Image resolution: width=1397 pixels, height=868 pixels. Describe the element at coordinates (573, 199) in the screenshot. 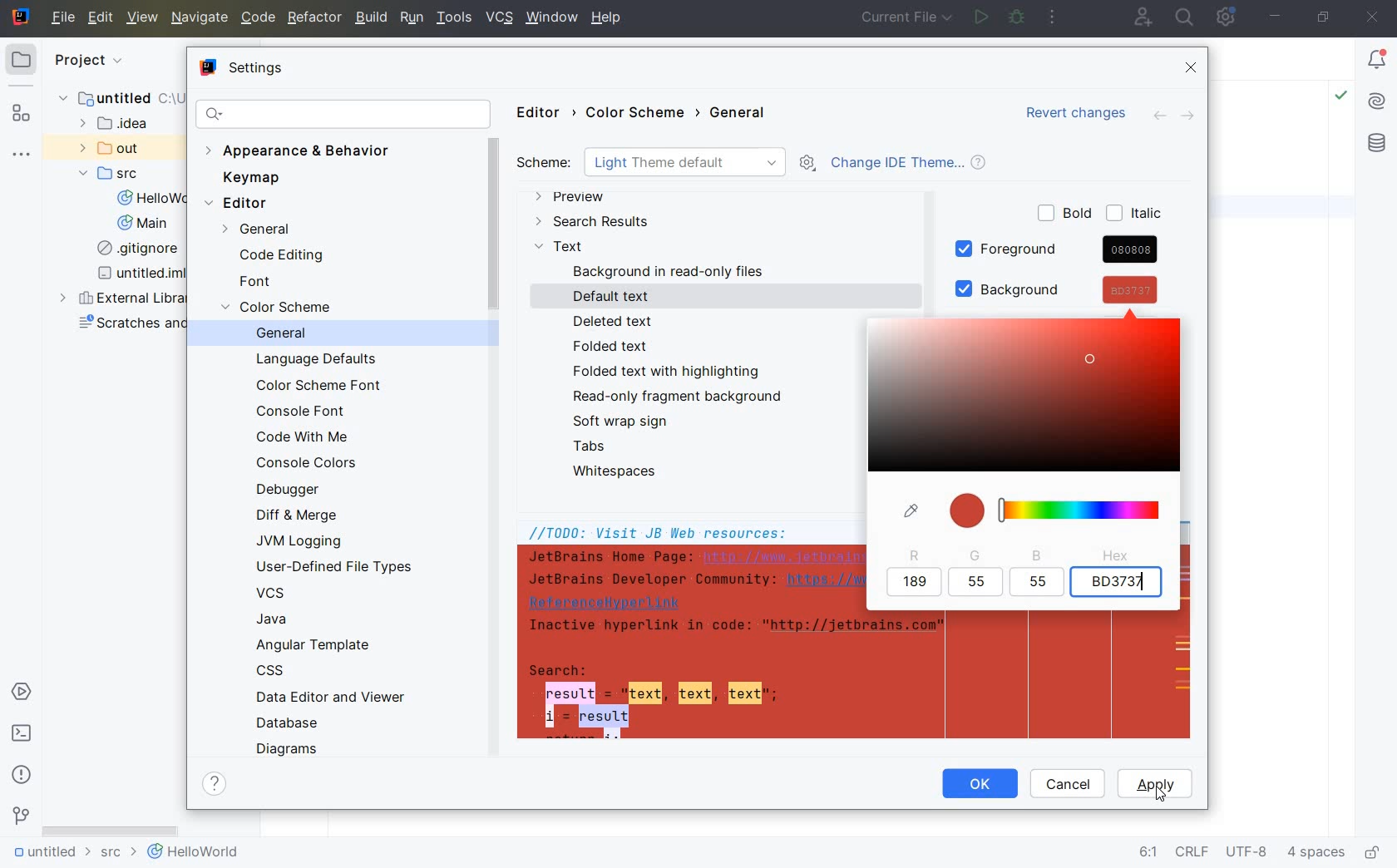

I see `PREVIEW` at that location.